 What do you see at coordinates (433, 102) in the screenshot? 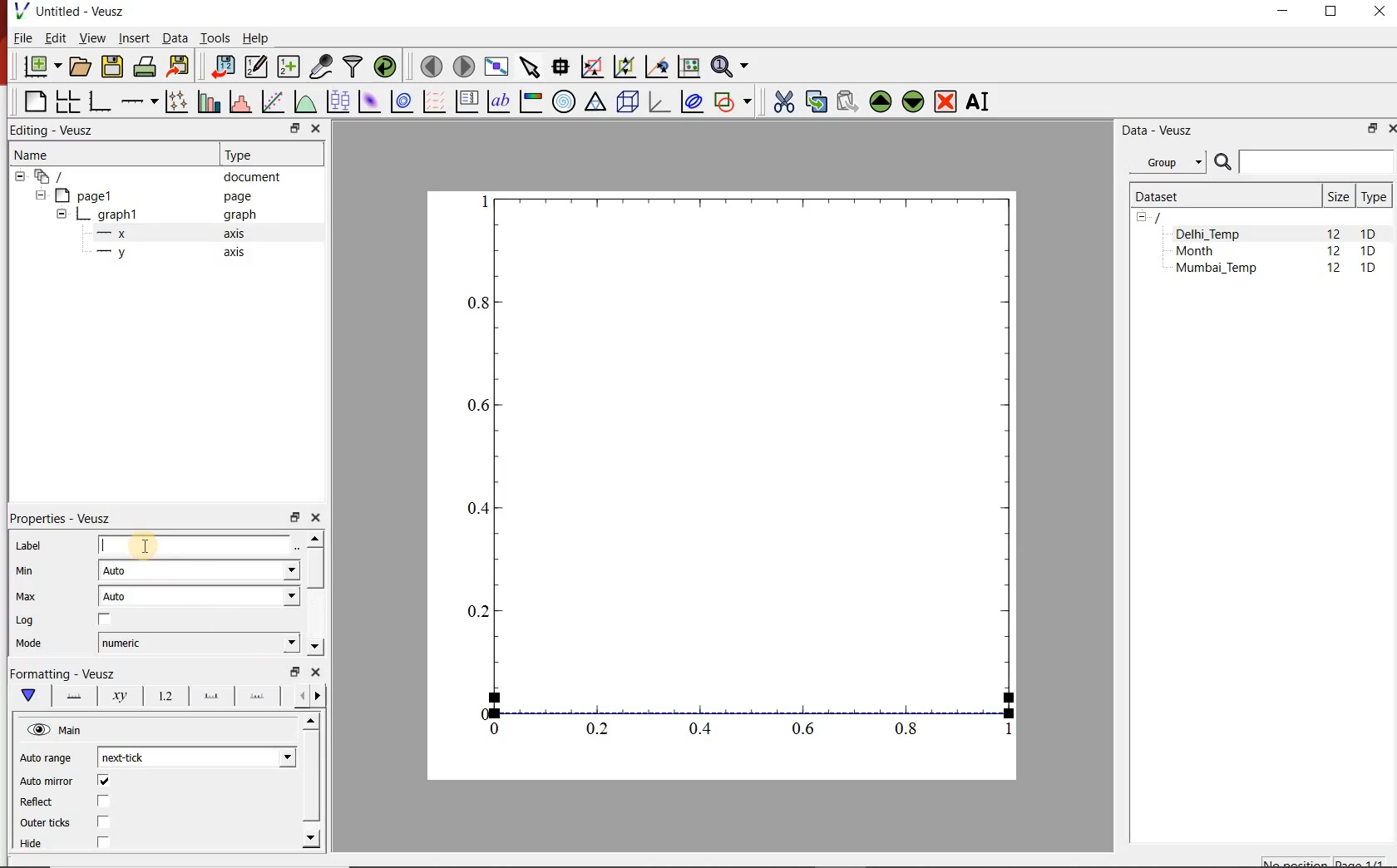
I see `plot a vector field` at bounding box center [433, 102].